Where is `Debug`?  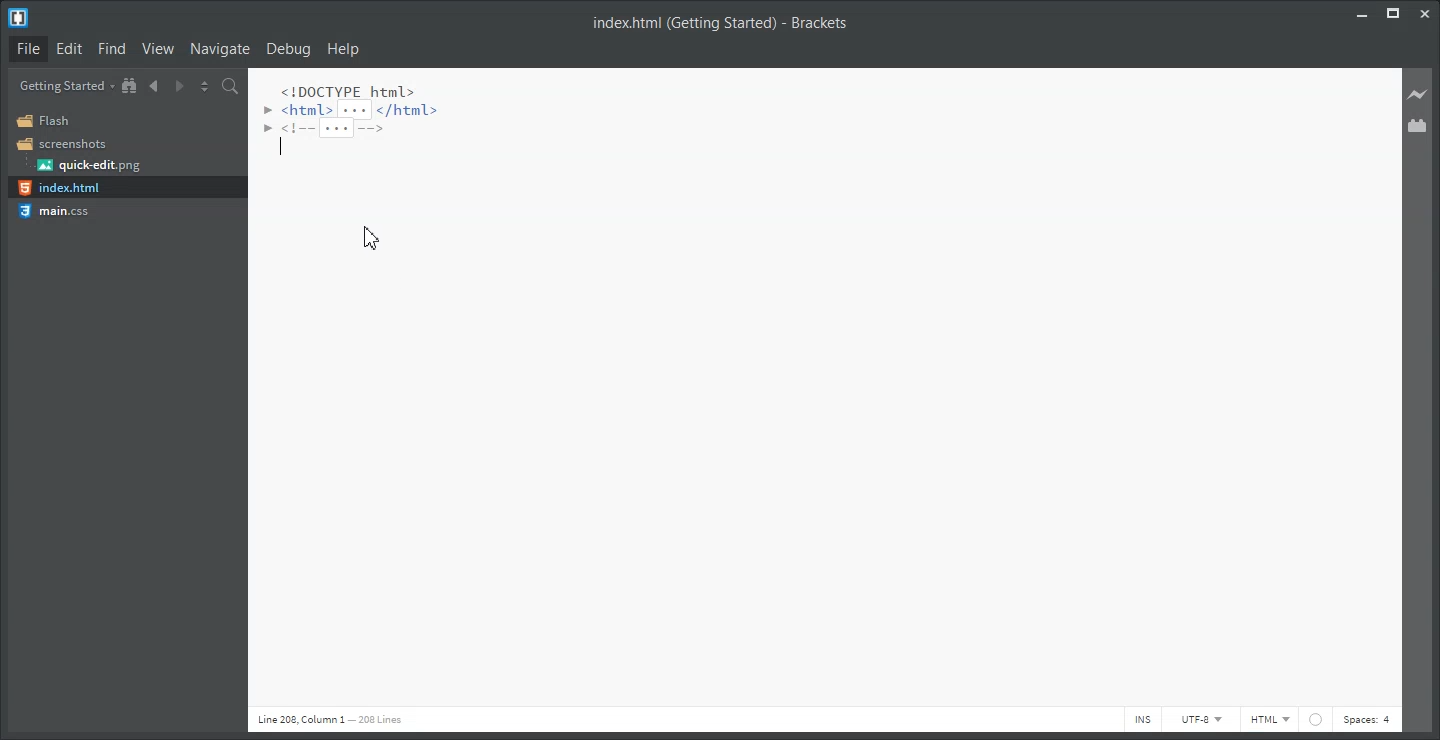
Debug is located at coordinates (288, 50).